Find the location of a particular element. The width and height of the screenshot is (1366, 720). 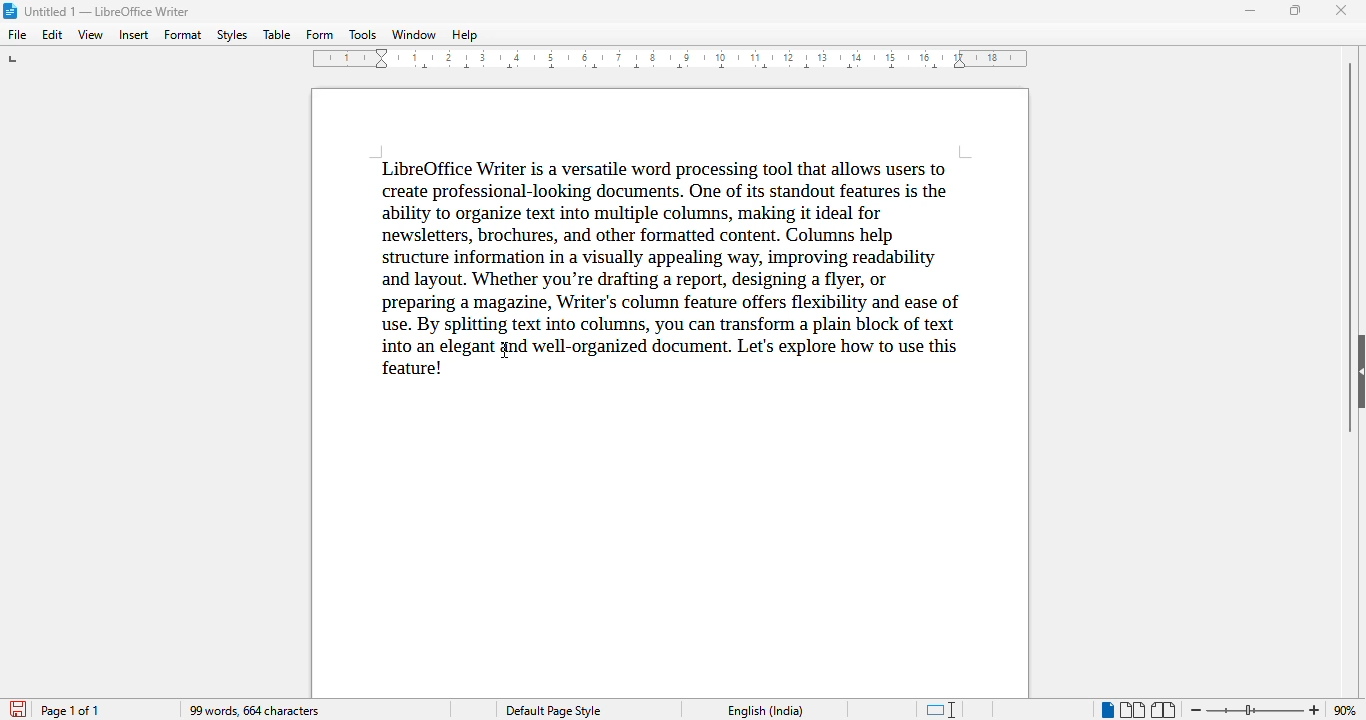

Change zoom level is located at coordinates (1256, 710).